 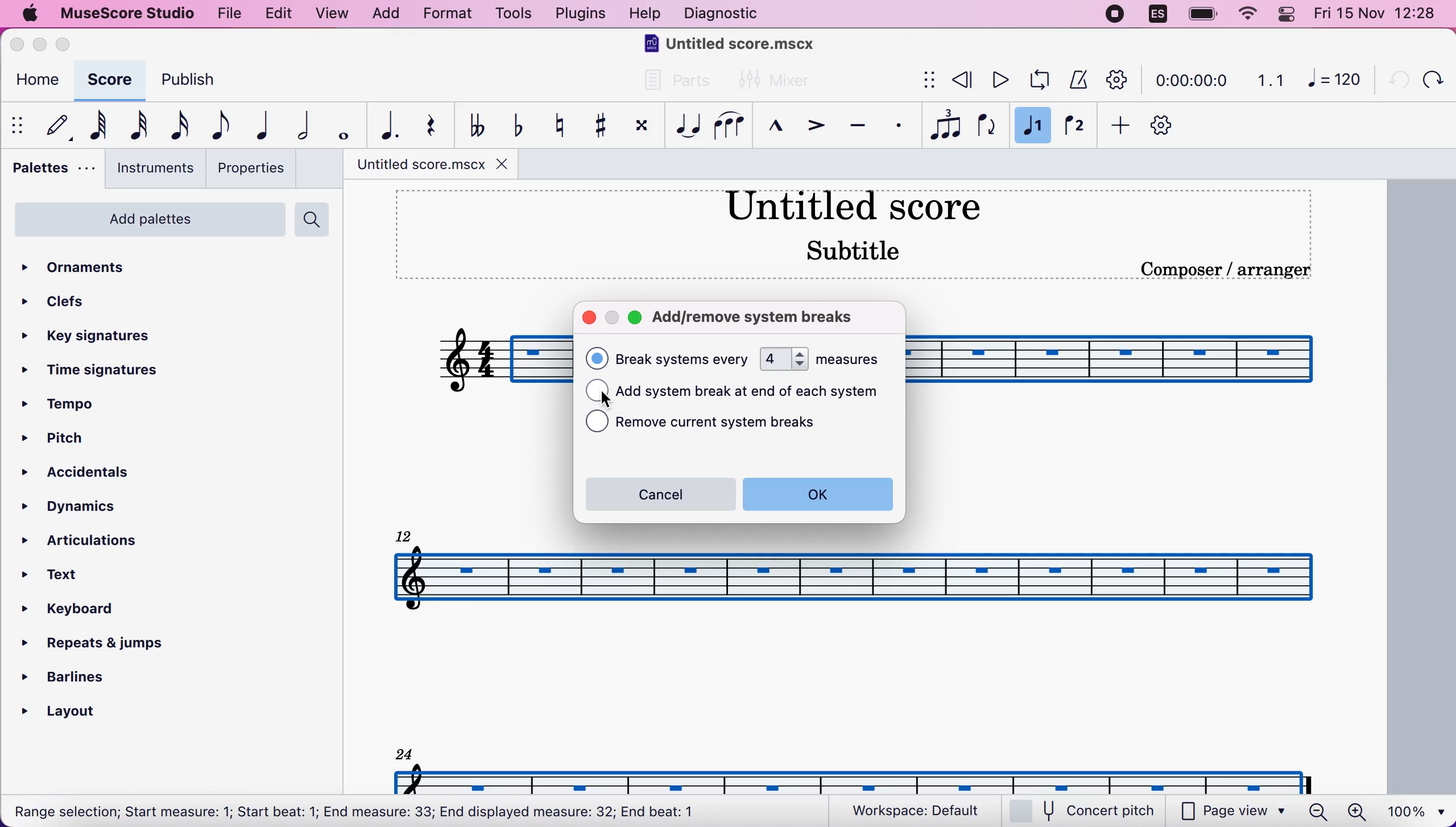 What do you see at coordinates (926, 81) in the screenshot?
I see `show/hide` at bounding box center [926, 81].